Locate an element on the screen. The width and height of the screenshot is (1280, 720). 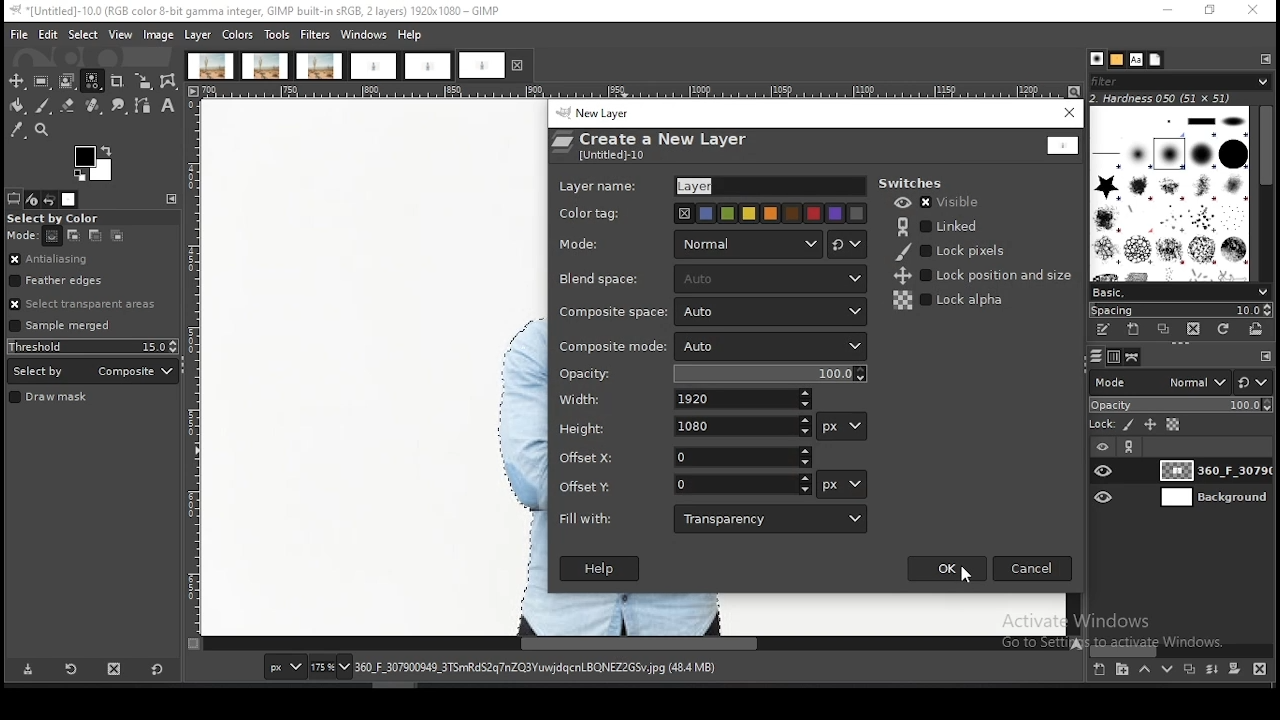
configure this tab is located at coordinates (1263, 58).